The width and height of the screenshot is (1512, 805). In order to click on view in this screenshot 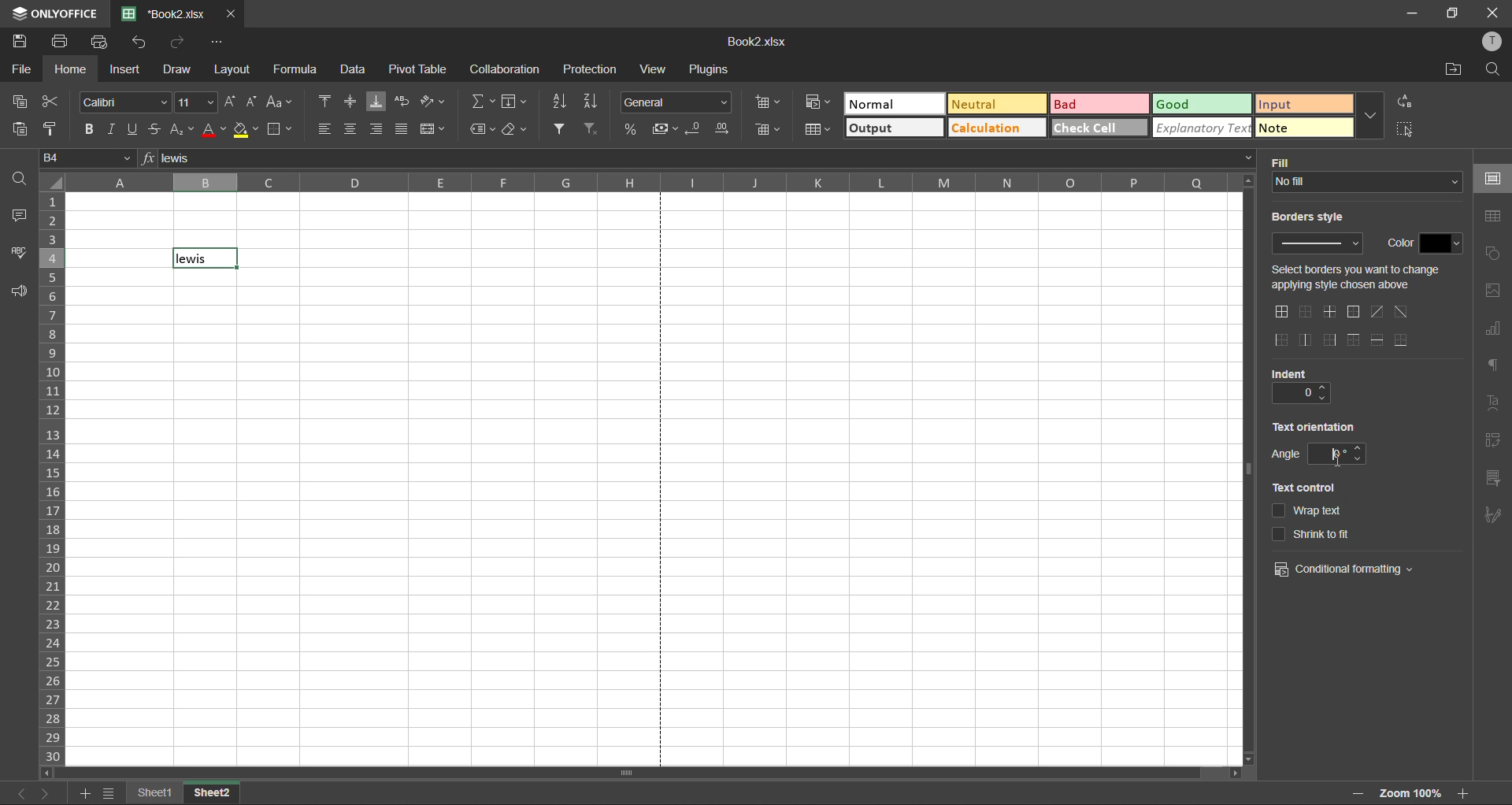, I will do `click(658, 69)`.